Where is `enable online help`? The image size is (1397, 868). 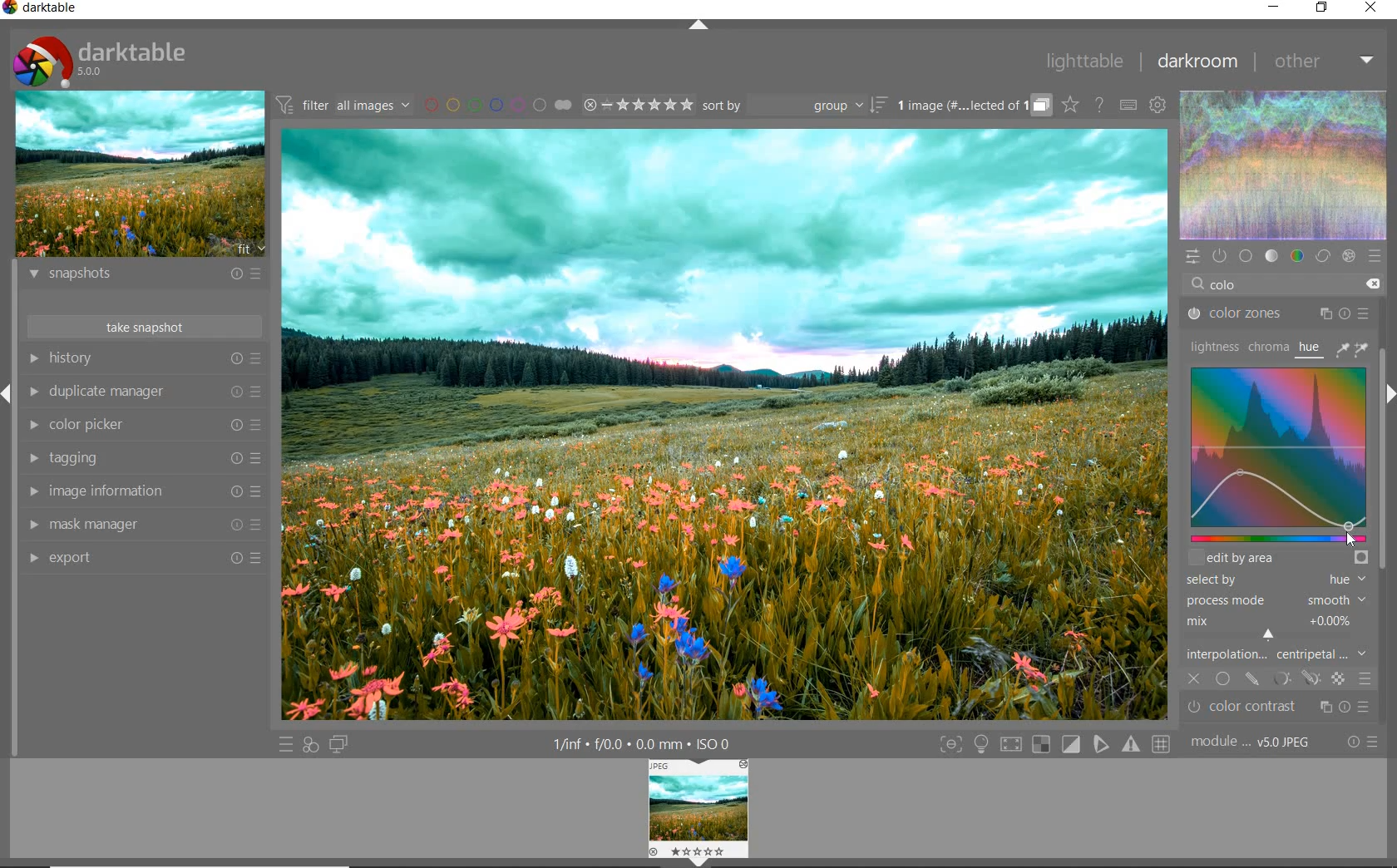
enable online help is located at coordinates (1100, 106).